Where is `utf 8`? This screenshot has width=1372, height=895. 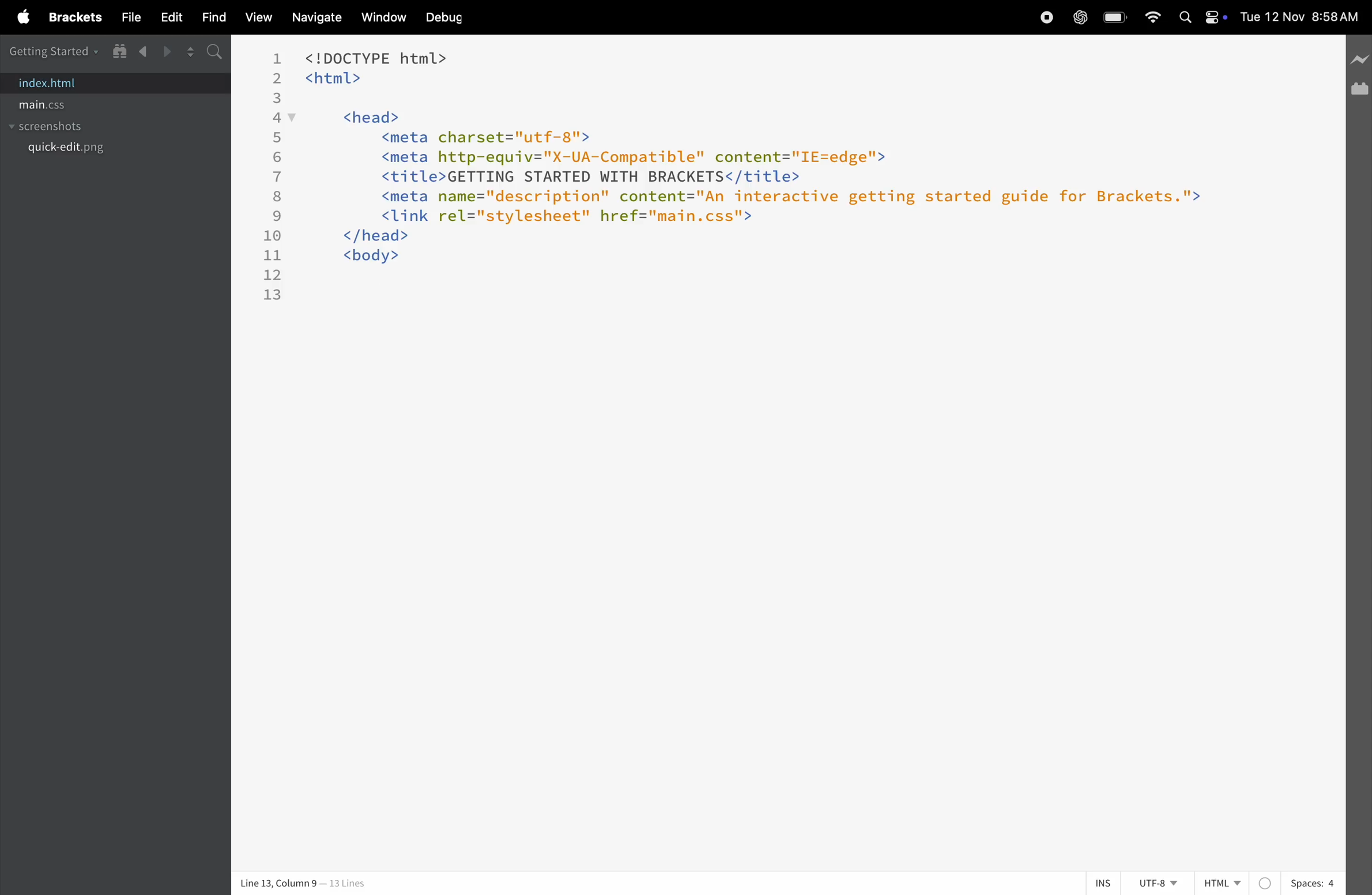 utf 8 is located at coordinates (1145, 878).